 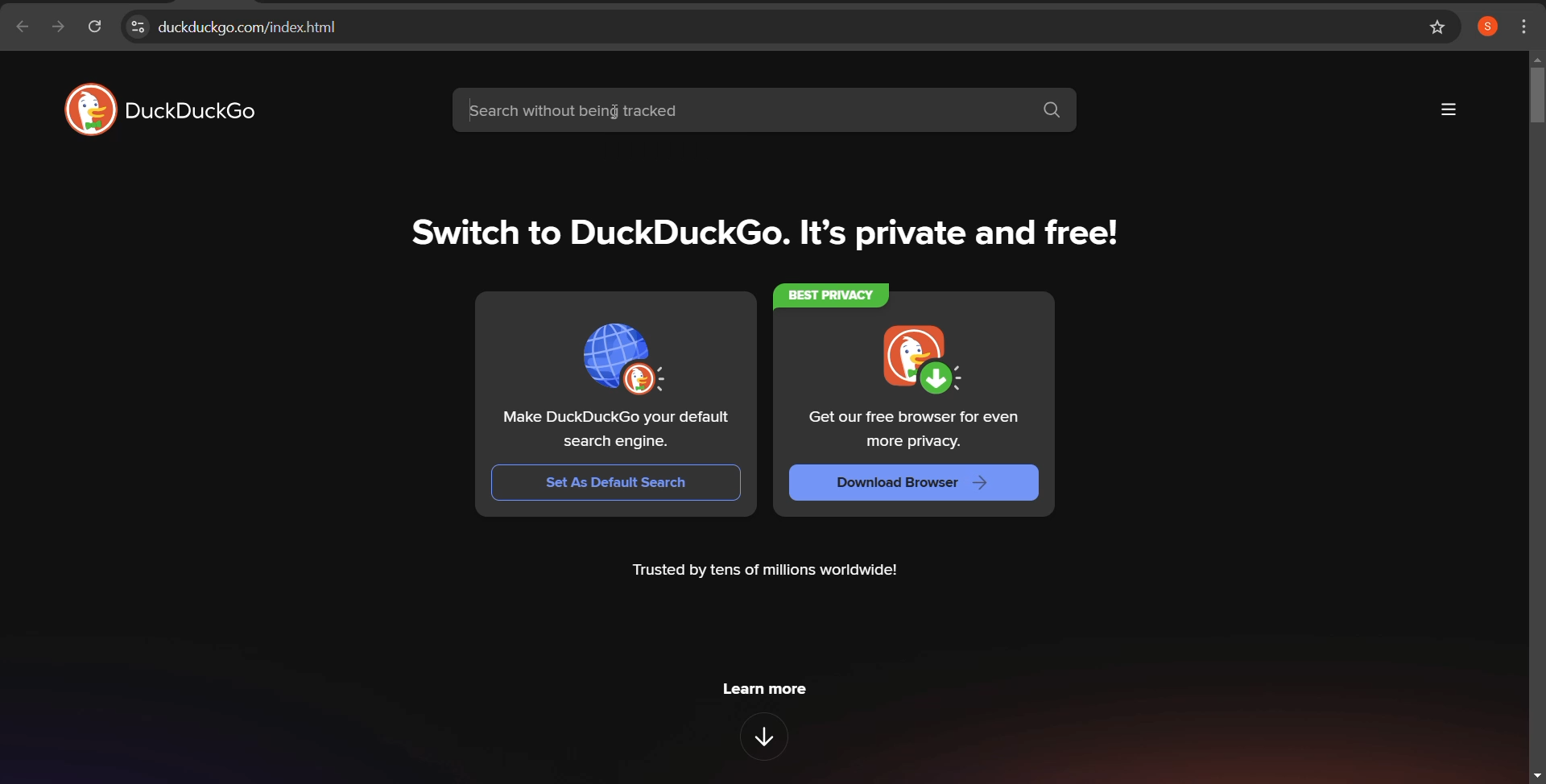 What do you see at coordinates (1487, 27) in the screenshot?
I see `profile logged in browser` at bounding box center [1487, 27].